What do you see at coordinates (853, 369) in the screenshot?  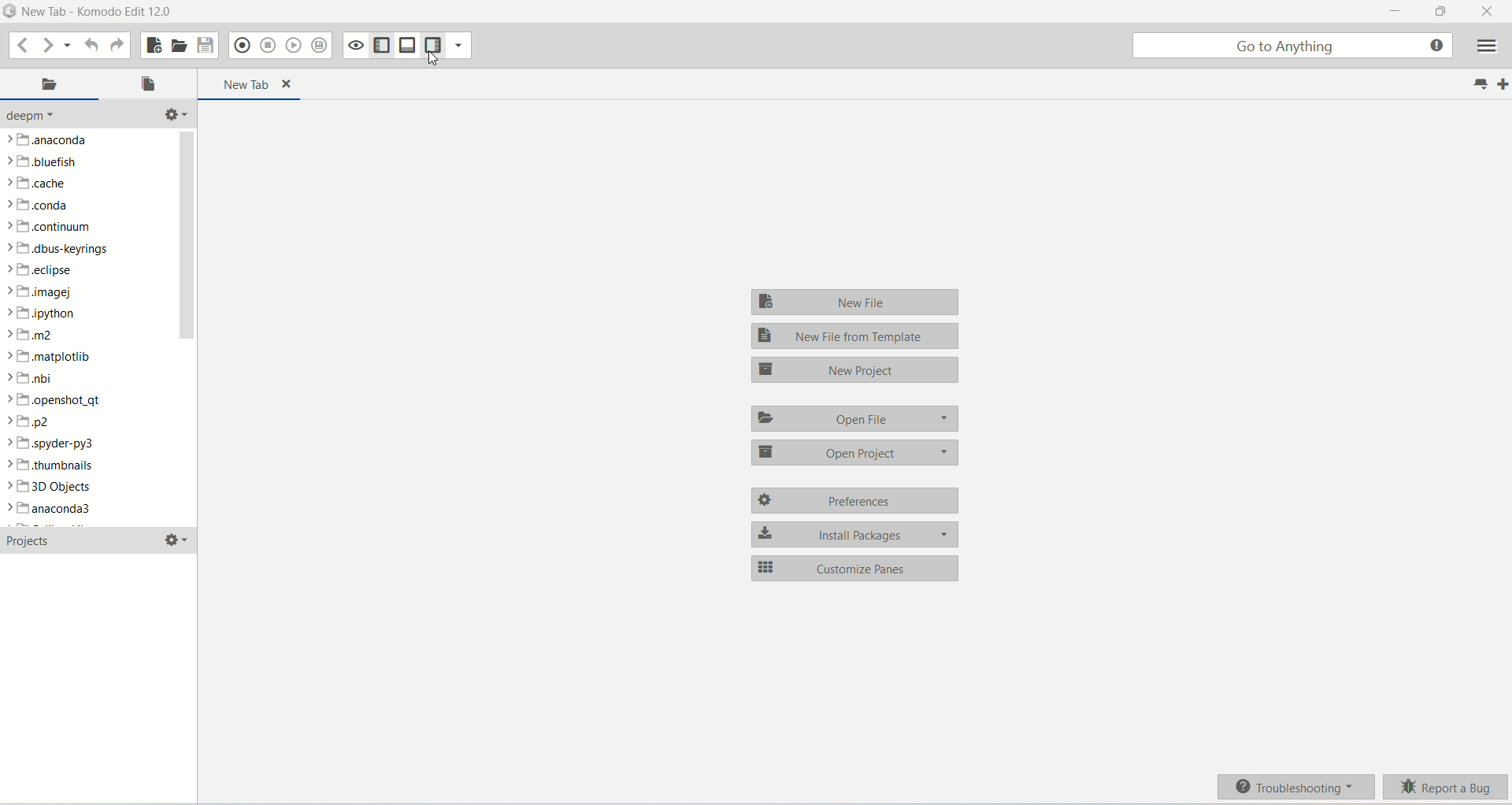 I see `new project` at bounding box center [853, 369].